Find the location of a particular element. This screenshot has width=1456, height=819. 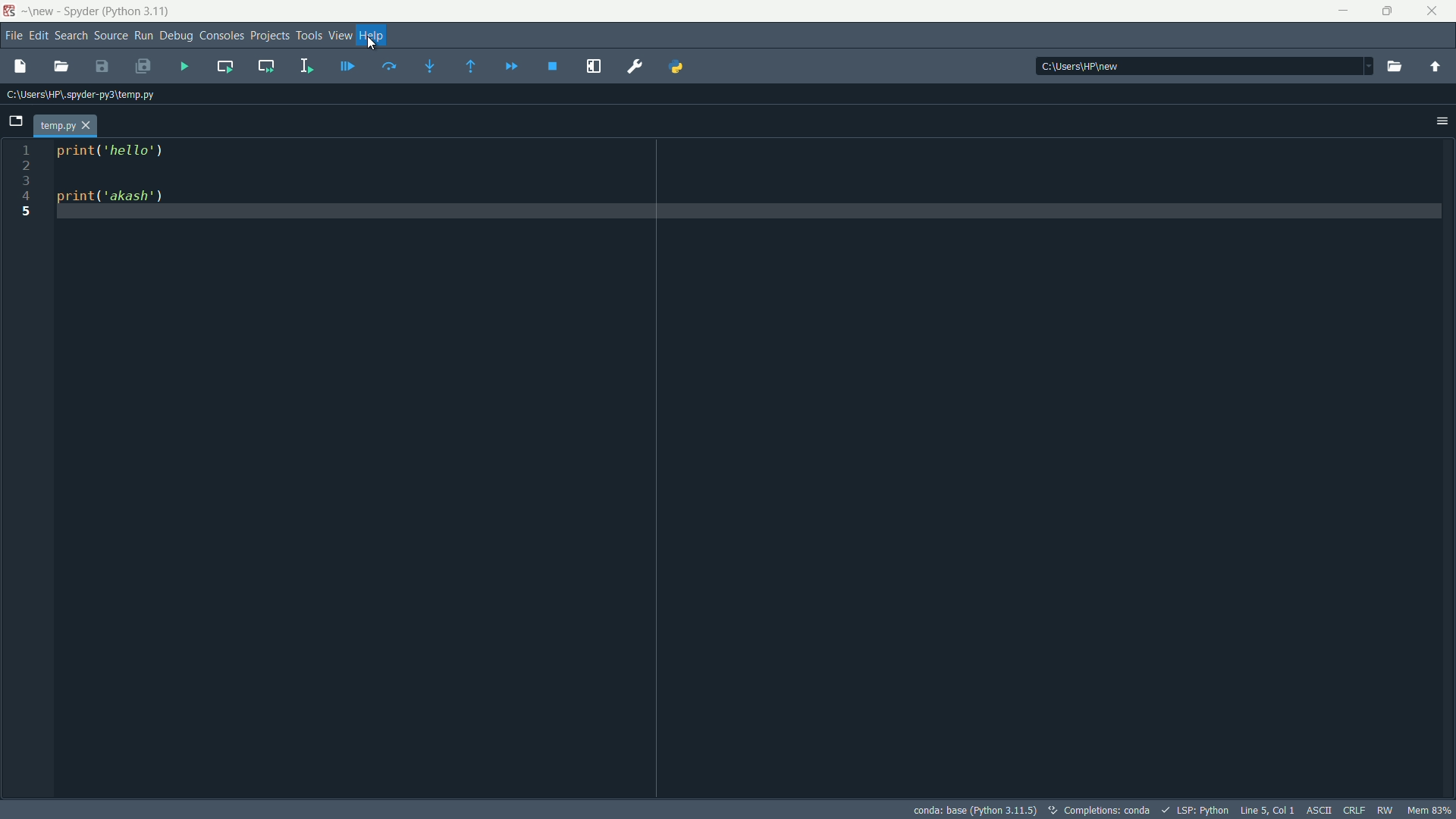

tools menu is located at coordinates (307, 36).